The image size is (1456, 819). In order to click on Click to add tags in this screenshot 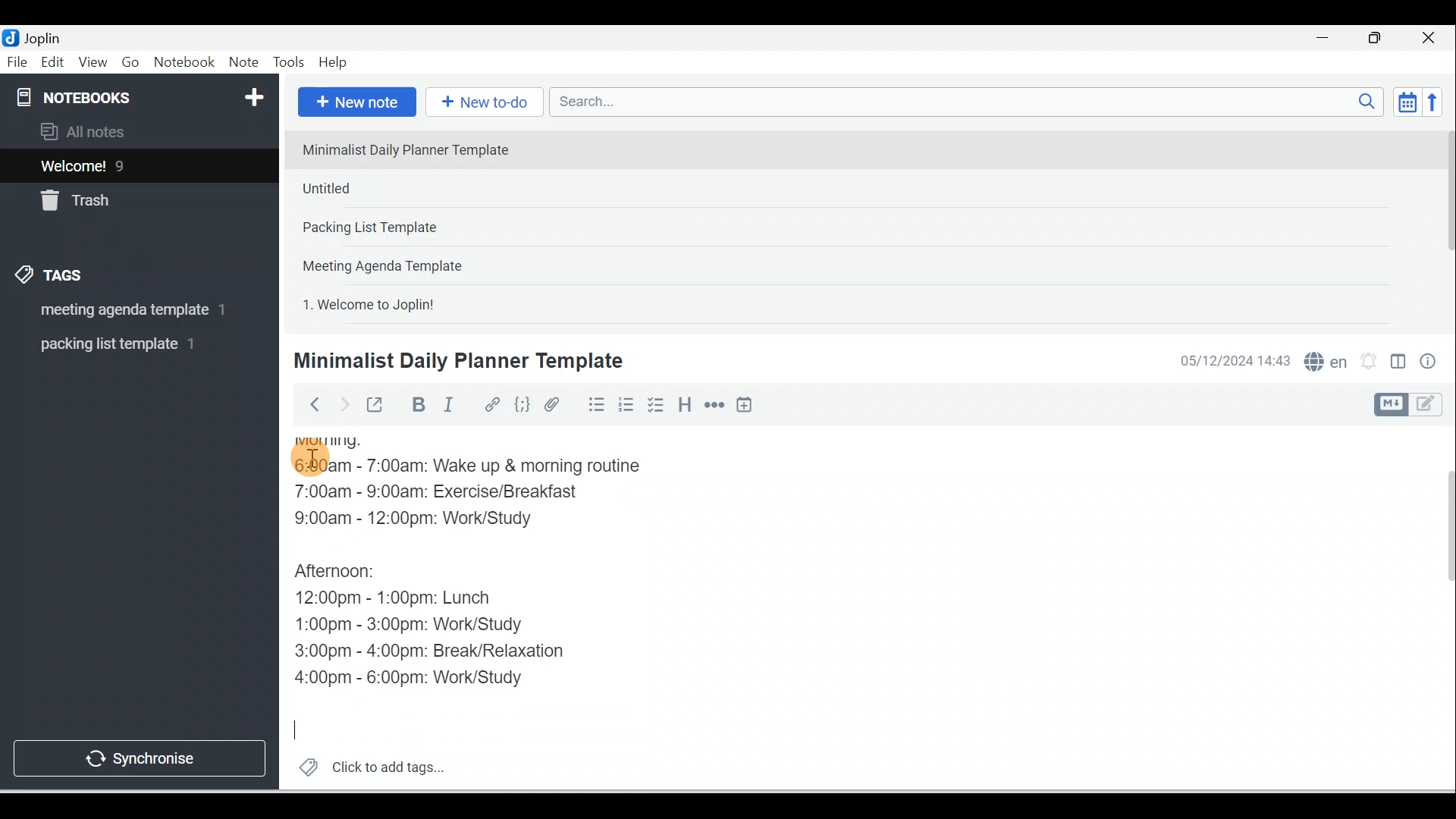, I will do `click(366, 765)`.